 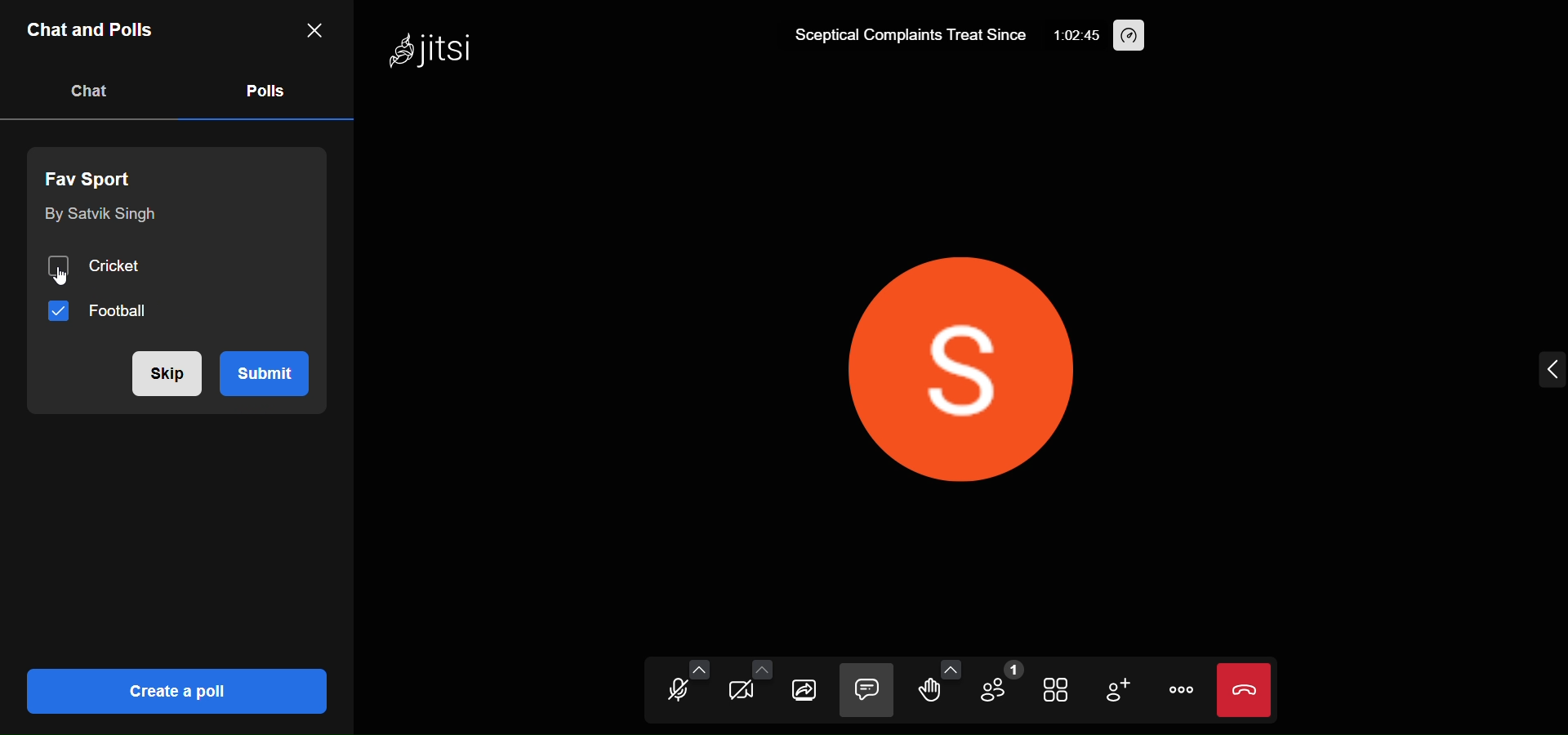 I want to click on microphone, so click(x=673, y=693).